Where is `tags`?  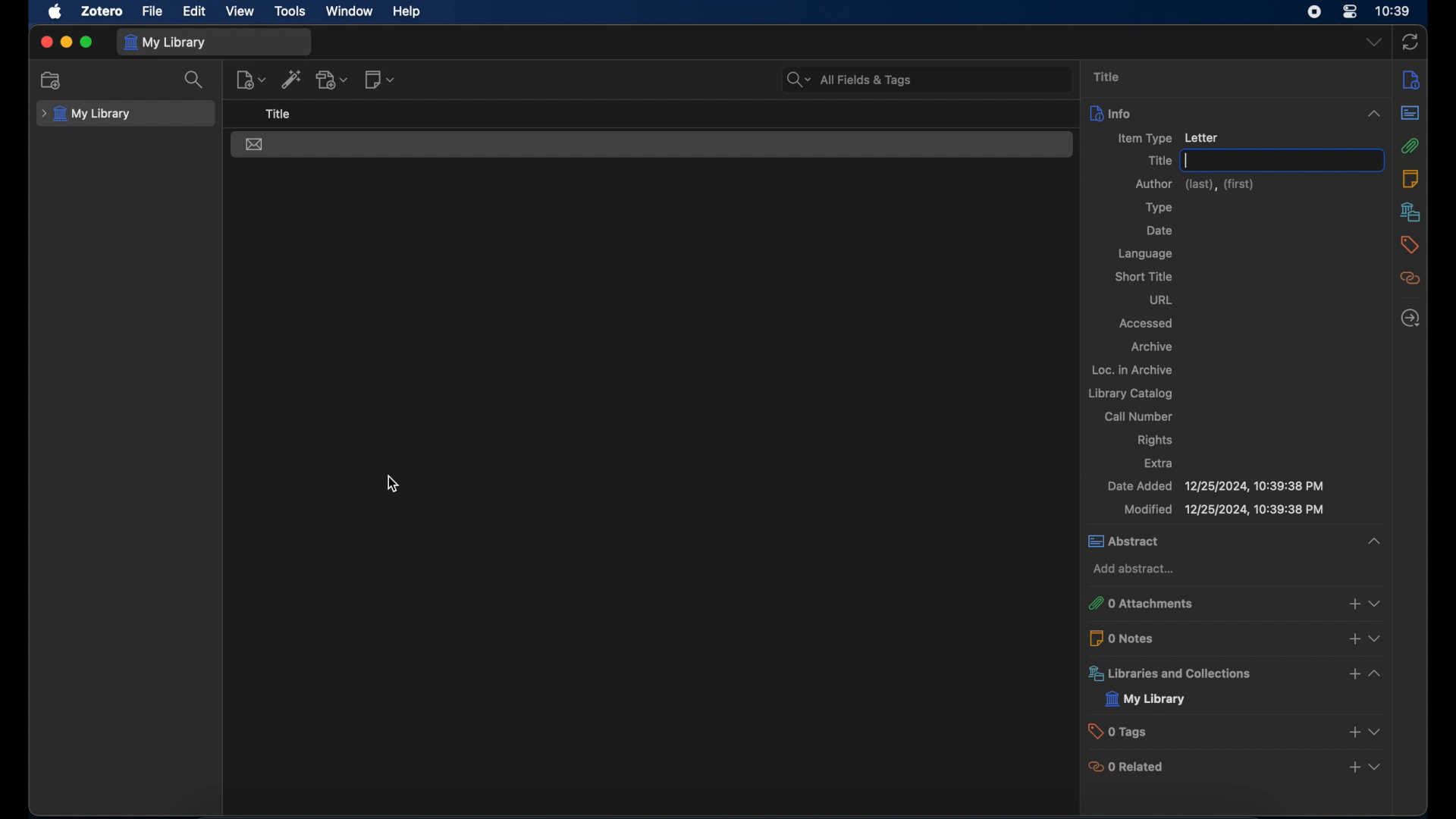
tags is located at coordinates (1407, 245).